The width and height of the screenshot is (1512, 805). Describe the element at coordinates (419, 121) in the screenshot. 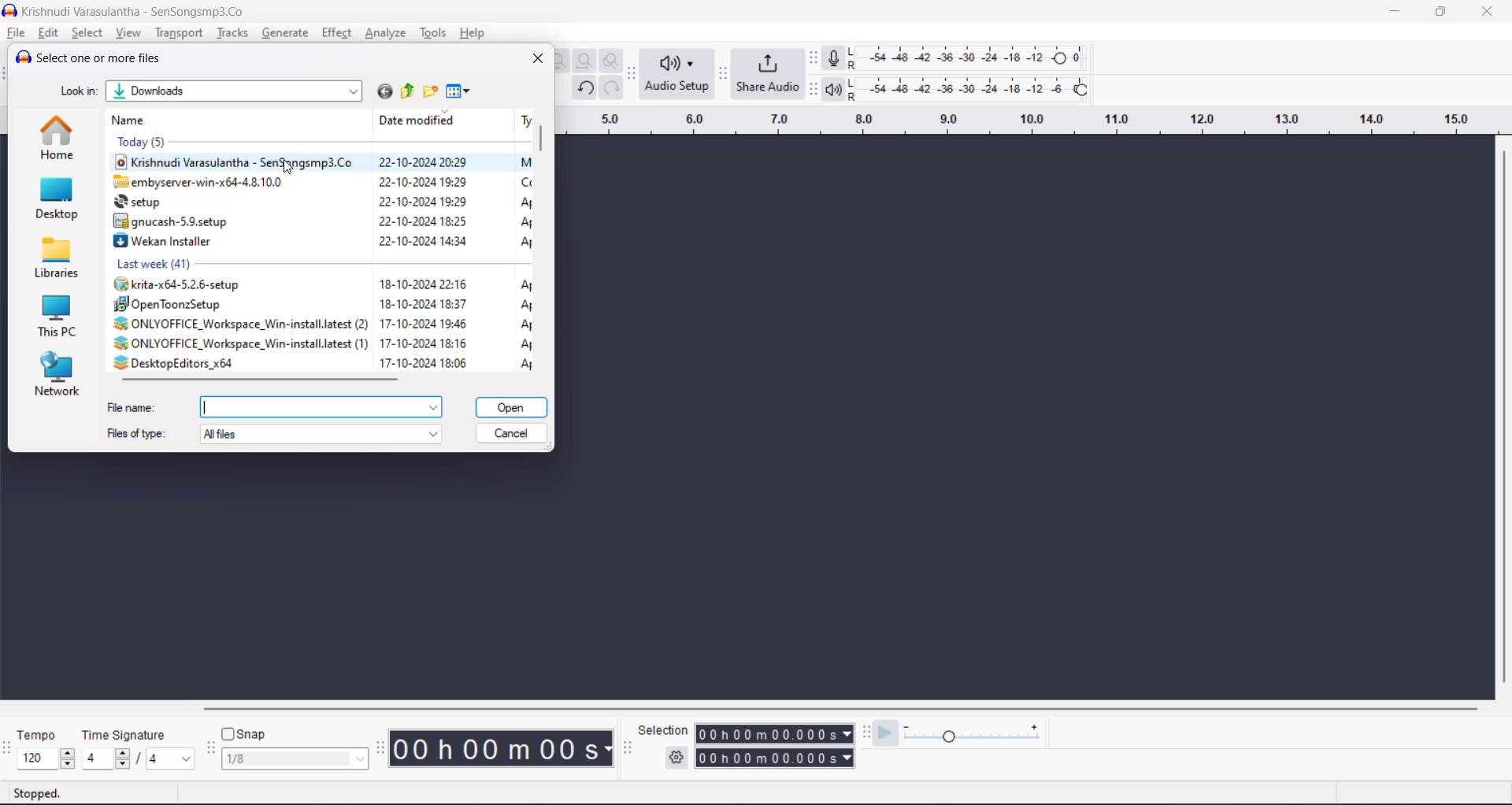

I see `date modified` at that location.